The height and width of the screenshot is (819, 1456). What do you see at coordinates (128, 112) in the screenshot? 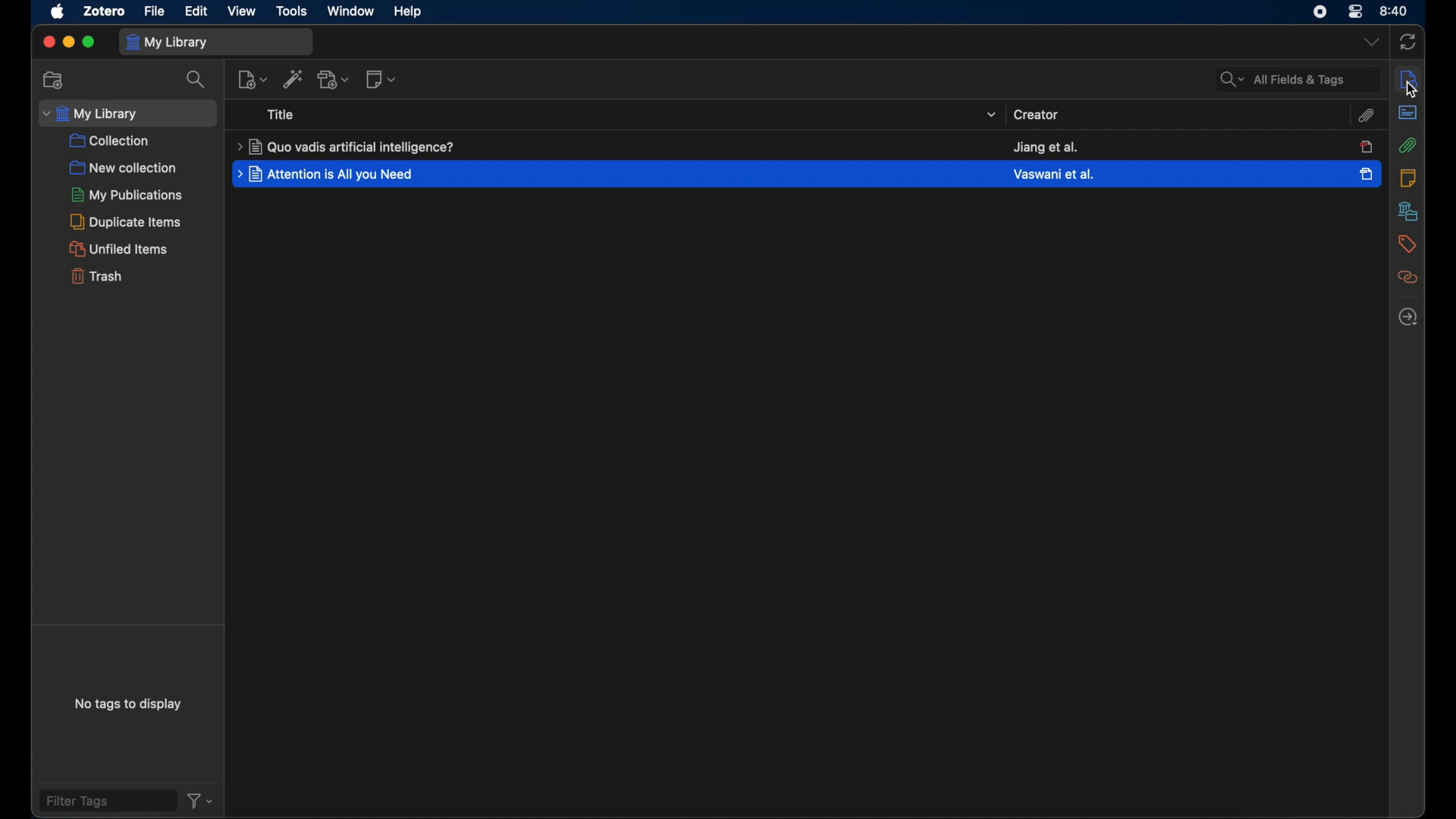
I see `my library dropdown menu` at bounding box center [128, 112].